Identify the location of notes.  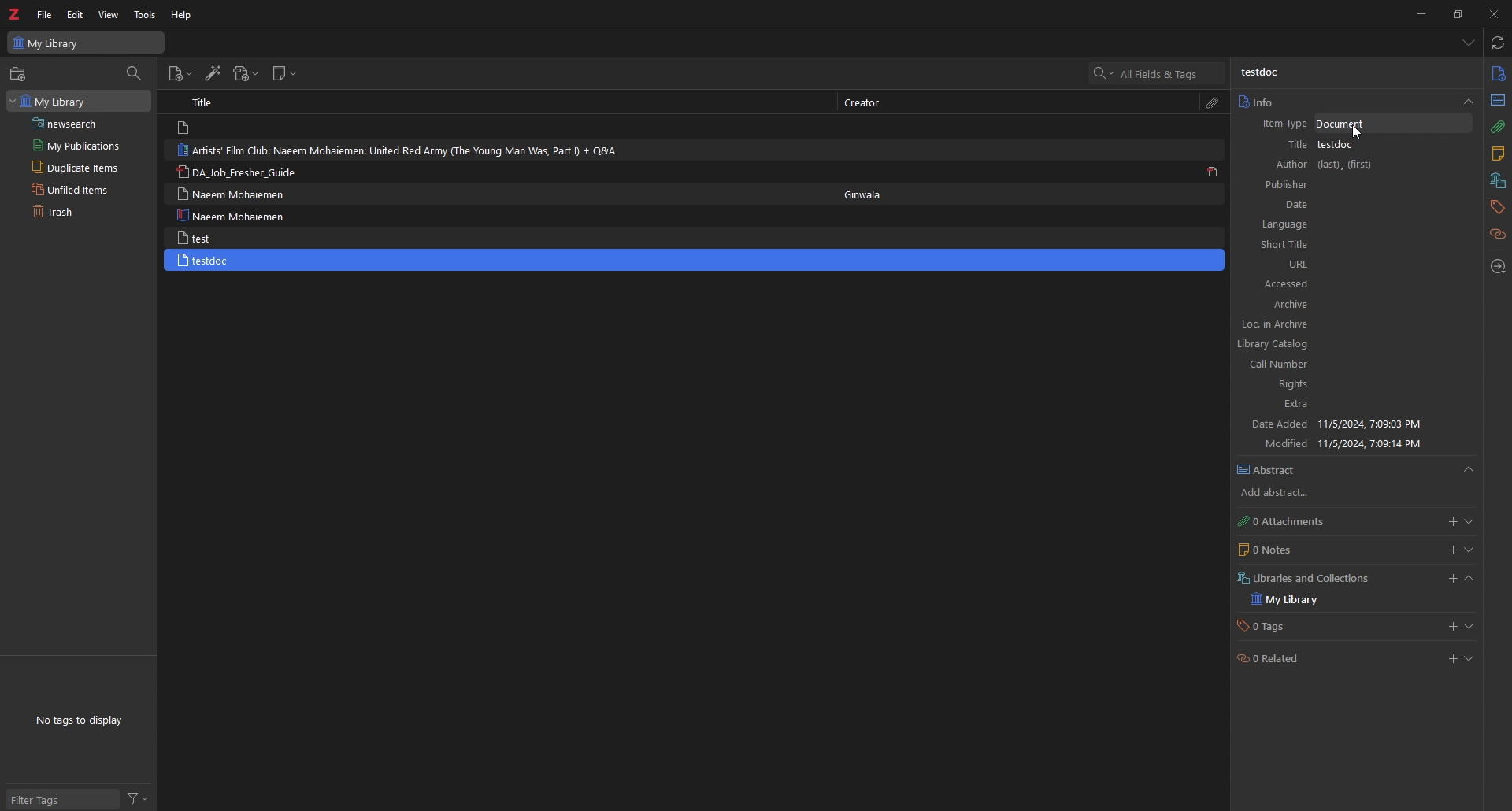
(1498, 155).